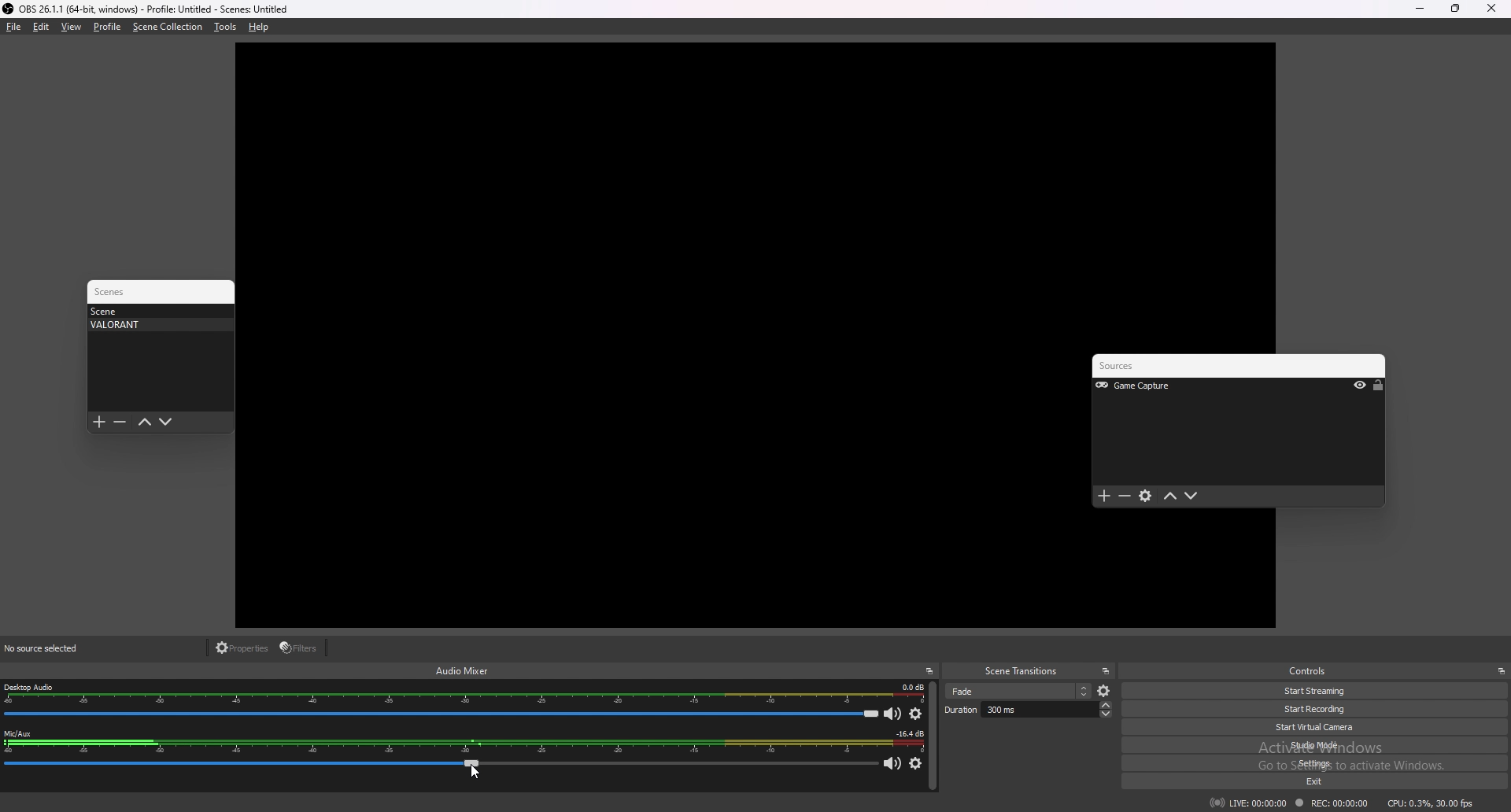 The image size is (1511, 812). Describe the element at coordinates (156, 311) in the screenshot. I see `scene` at that location.